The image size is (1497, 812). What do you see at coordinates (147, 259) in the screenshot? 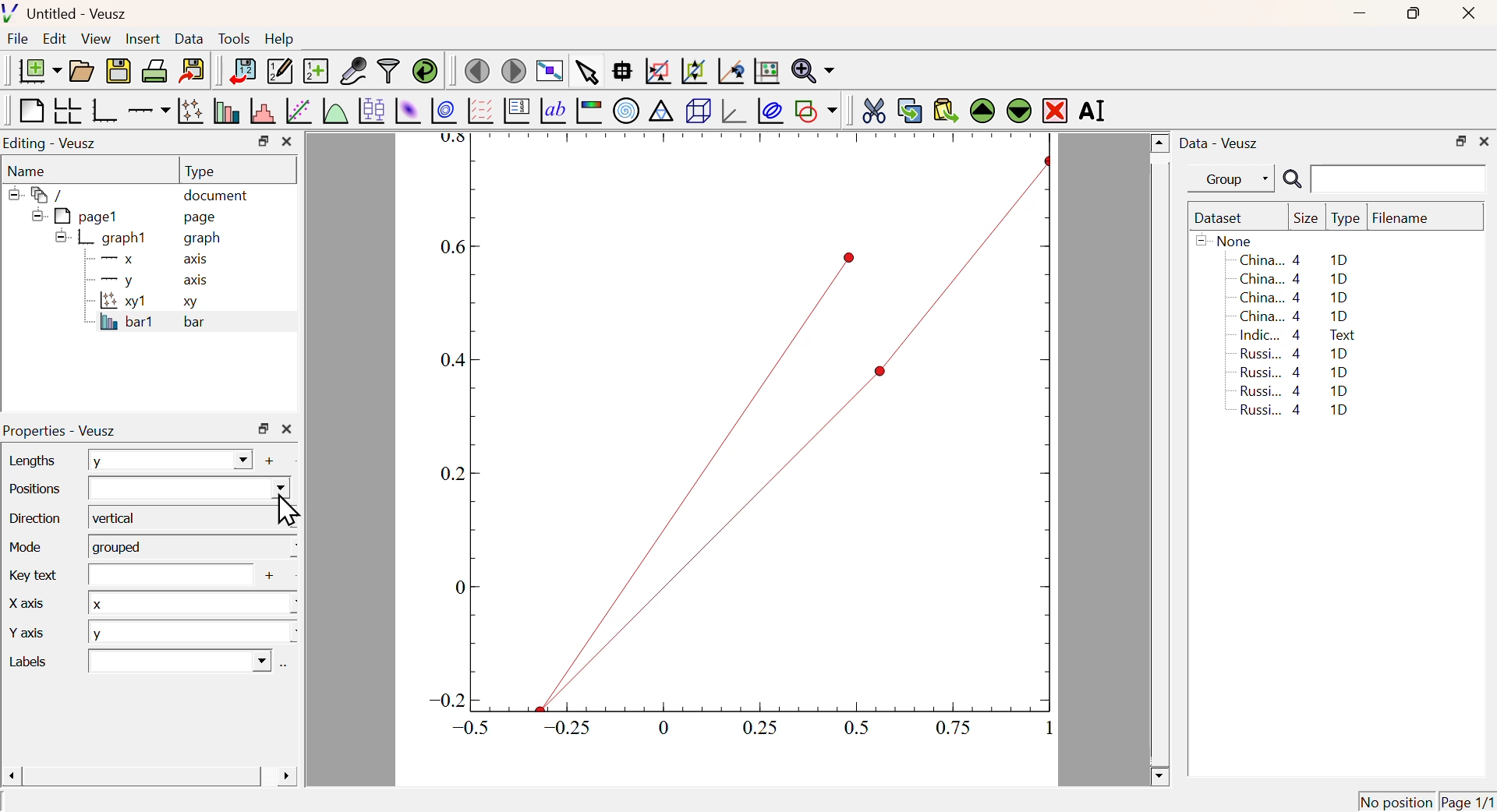
I see `X axis` at bounding box center [147, 259].